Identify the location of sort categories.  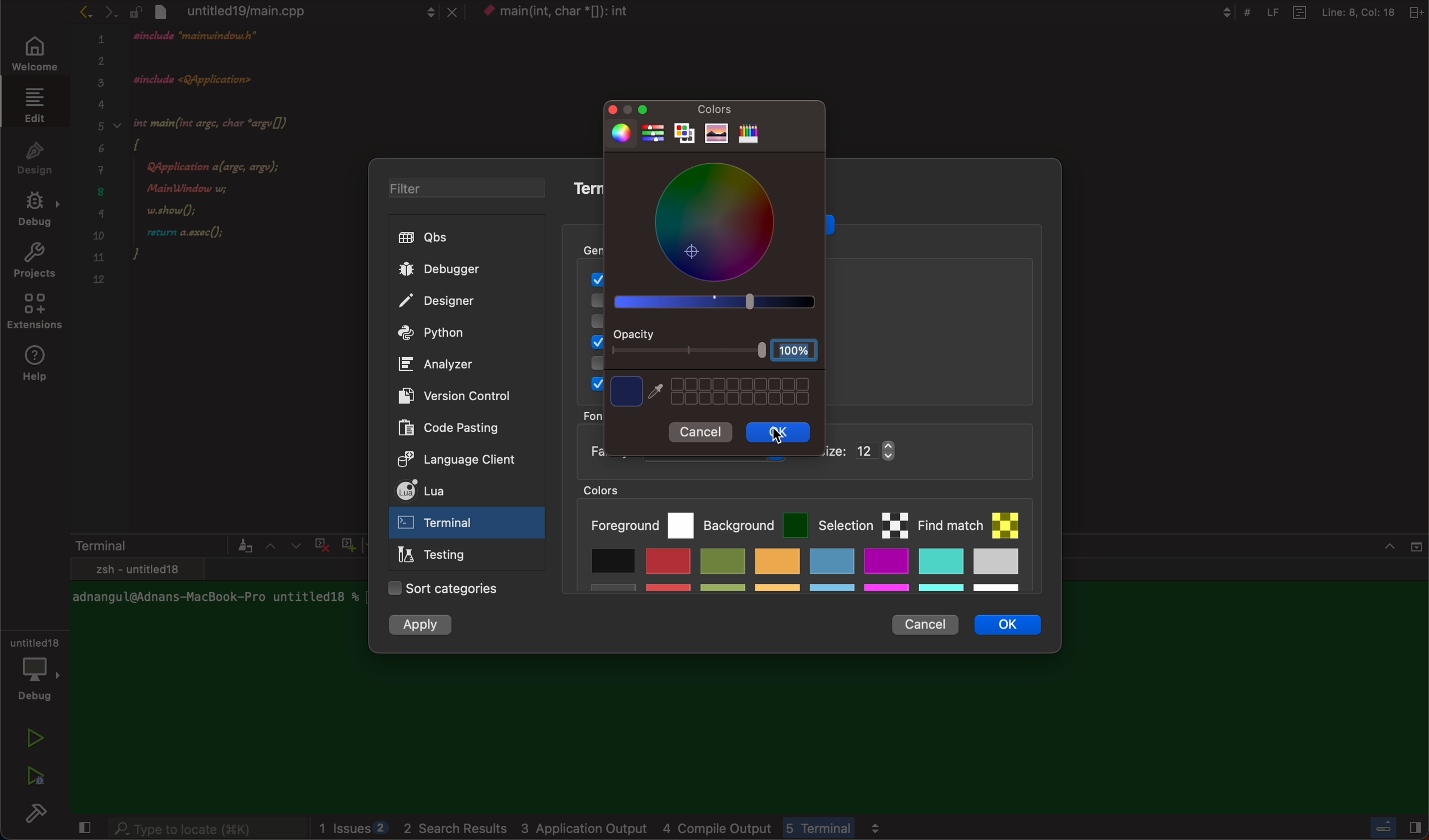
(445, 589).